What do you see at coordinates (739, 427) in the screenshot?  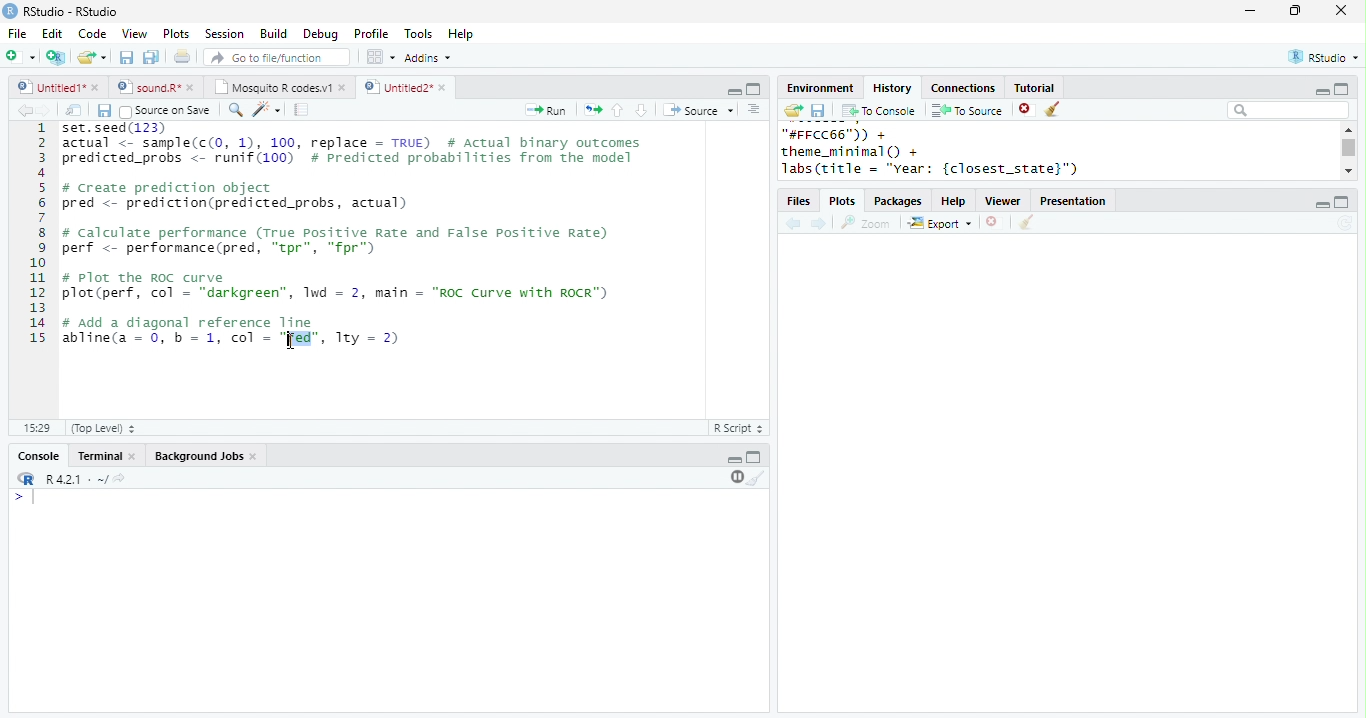 I see `R Script` at bounding box center [739, 427].